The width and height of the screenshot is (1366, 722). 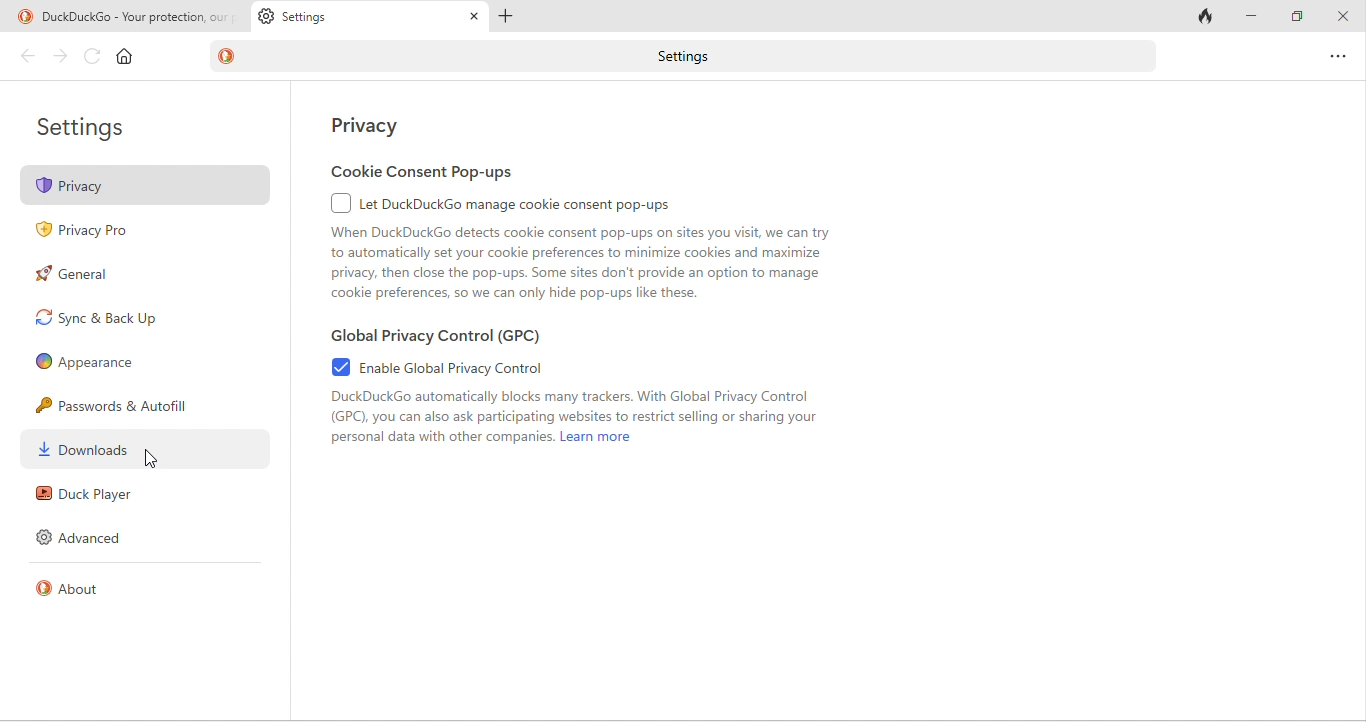 I want to click on general, so click(x=87, y=279).